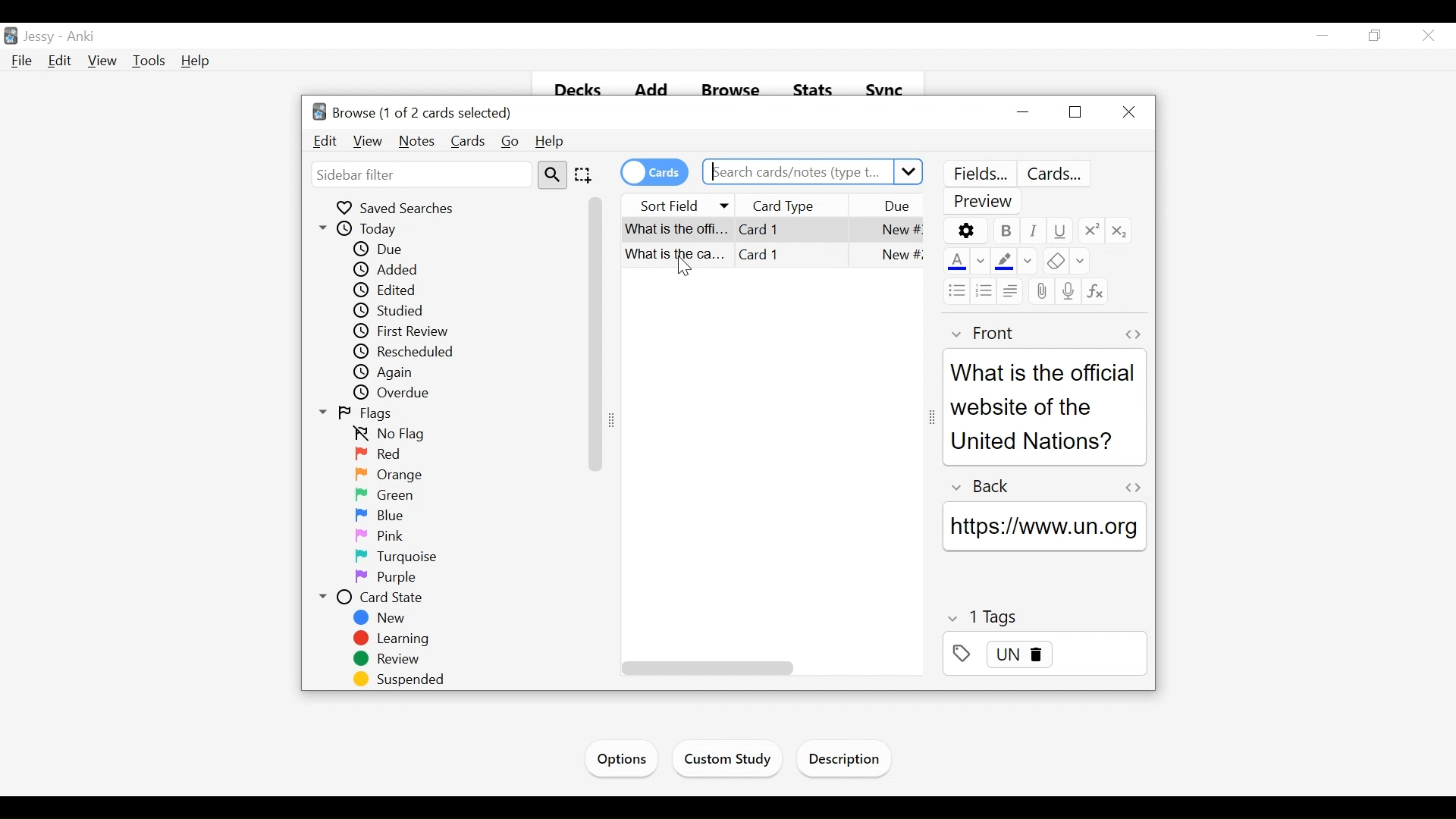 The height and width of the screenshot is (819, 1456). What do you see at coordinates (377, 536) in the screenshot?
I see `Pink` at bounding box center [377, 536].